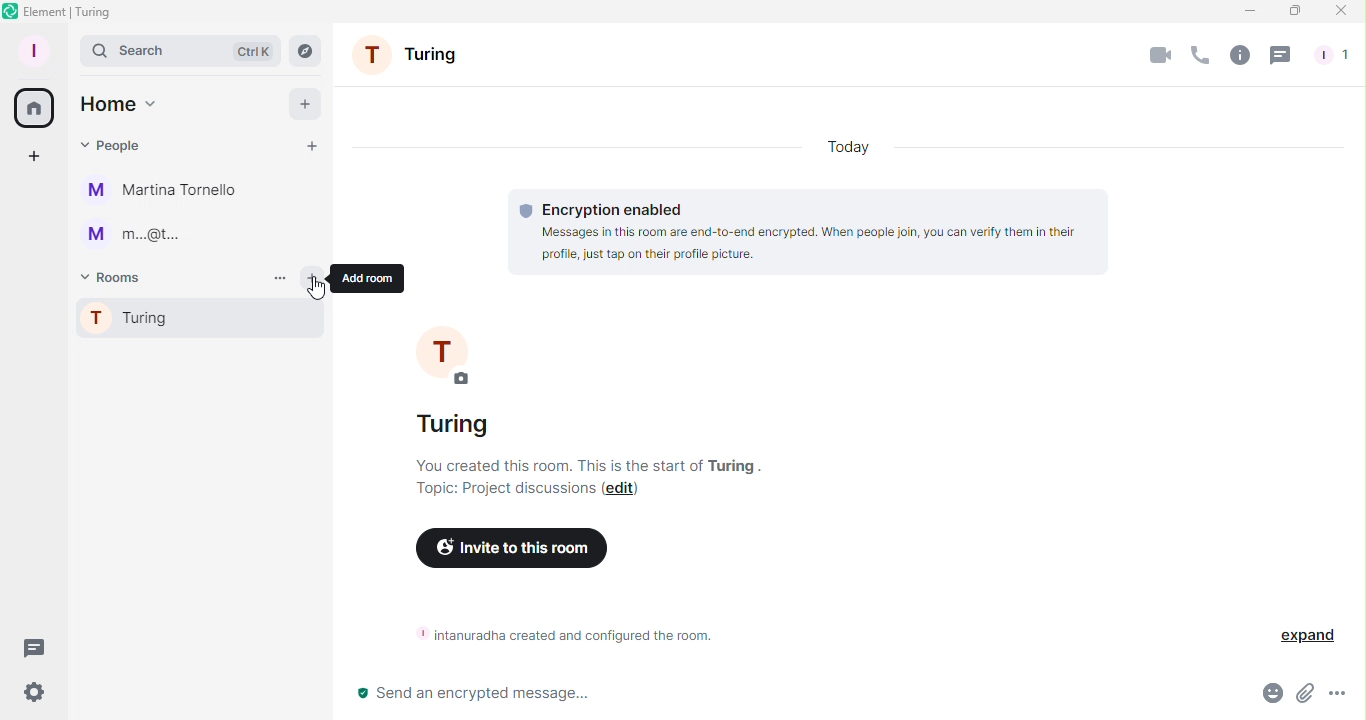 This screenshot has height=720, width=1366. I want to click on Minimize, so click(1245, 11).